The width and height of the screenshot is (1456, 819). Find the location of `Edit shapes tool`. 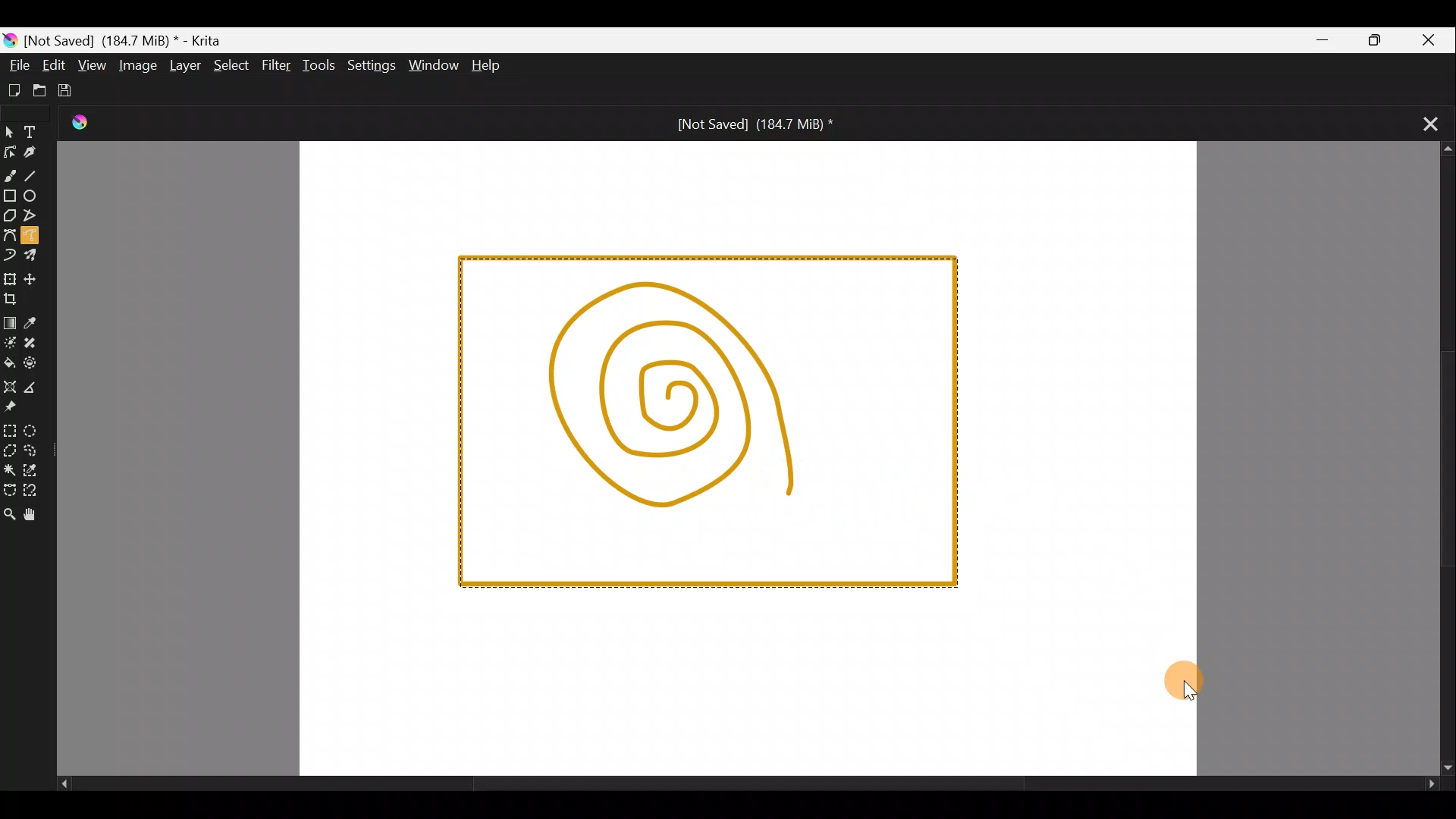

Edit shapes tool is located at coordinates (9, 152).